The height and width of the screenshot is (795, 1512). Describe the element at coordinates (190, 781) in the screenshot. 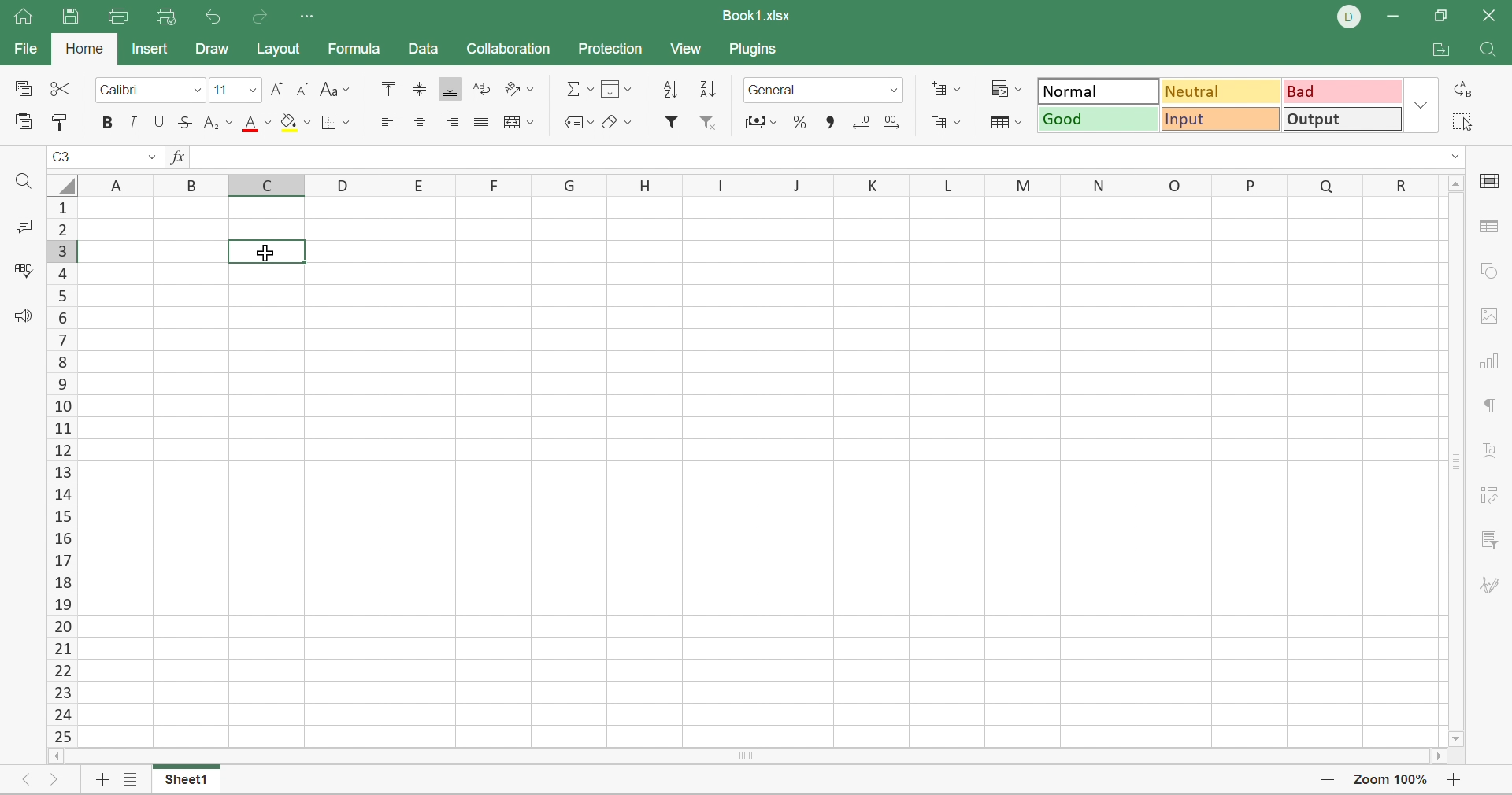

I see `Sheet1` at that location.